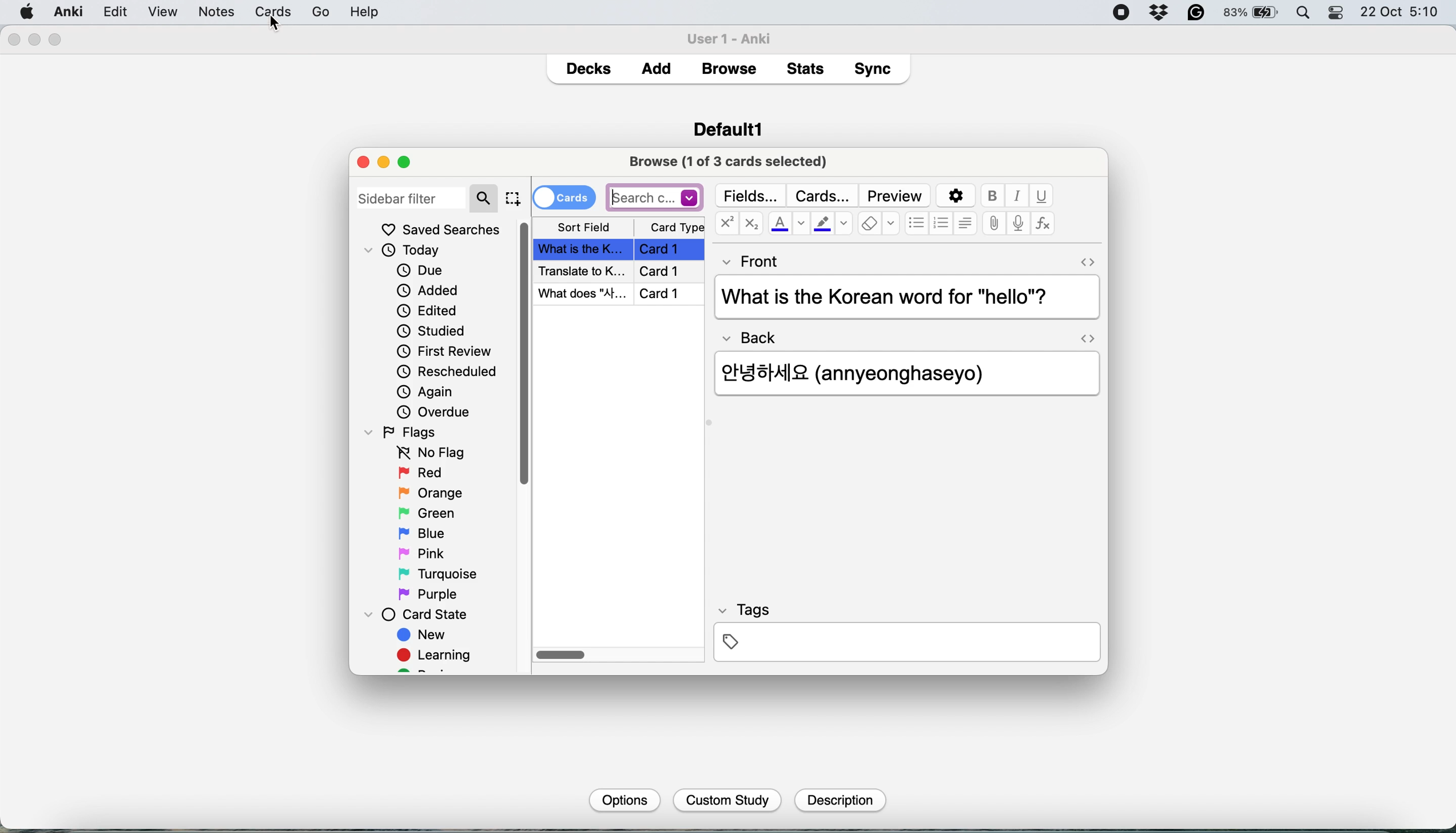  Describe the element at coordinates (56, 40) in the screenshot. I see `maximise` at that location.